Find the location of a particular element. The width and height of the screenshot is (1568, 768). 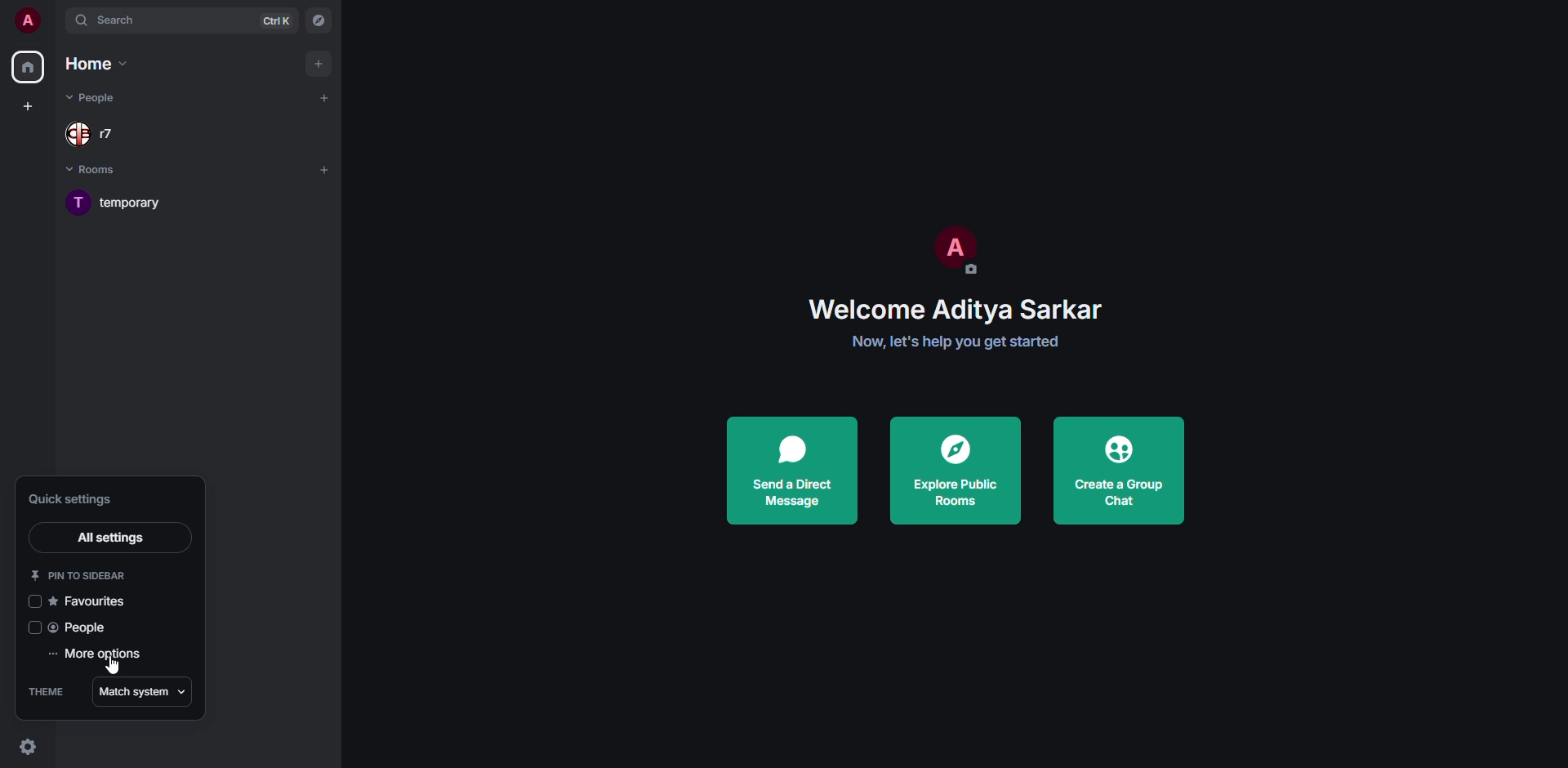

add is located at coordinates (326, 167).